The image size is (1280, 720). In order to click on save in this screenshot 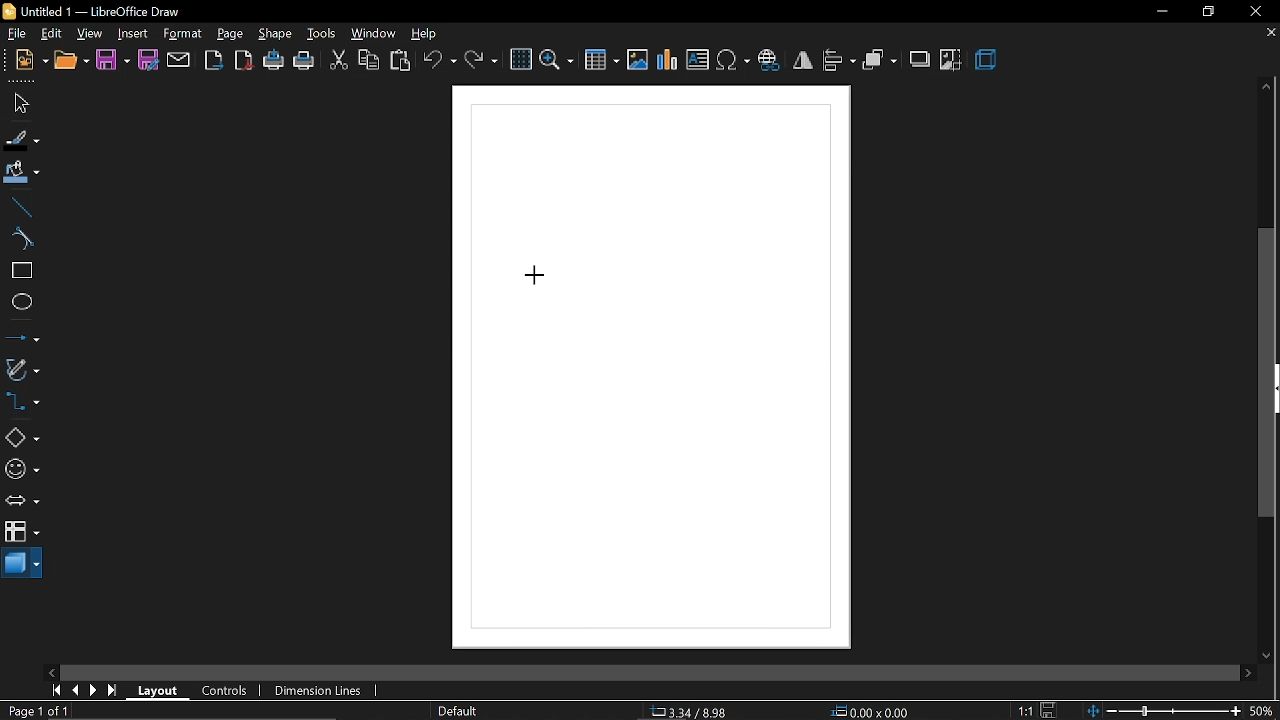, I will do `click(114, 61)`.